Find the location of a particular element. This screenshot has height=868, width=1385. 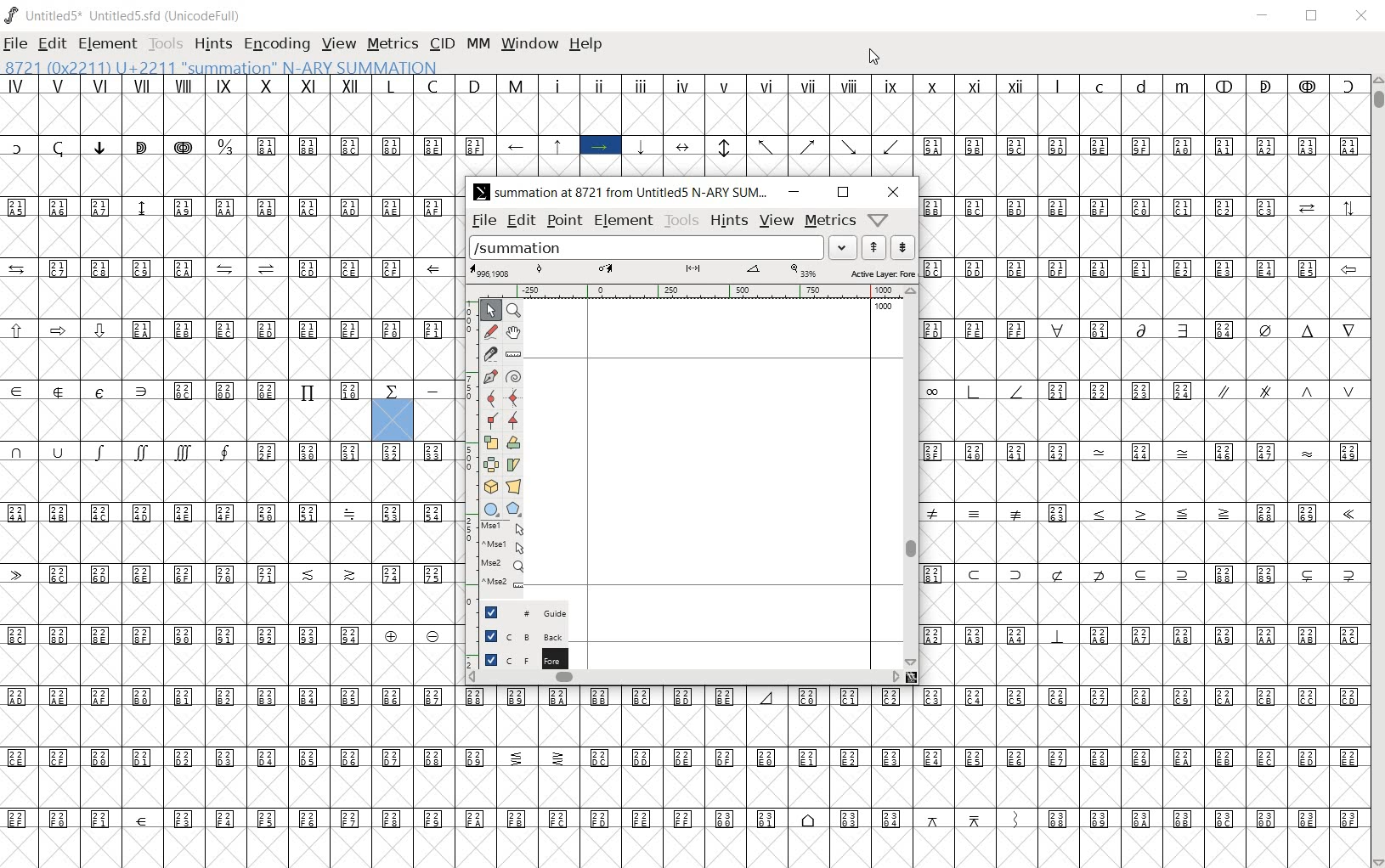

HINTS is located at coordinates (212, 44).